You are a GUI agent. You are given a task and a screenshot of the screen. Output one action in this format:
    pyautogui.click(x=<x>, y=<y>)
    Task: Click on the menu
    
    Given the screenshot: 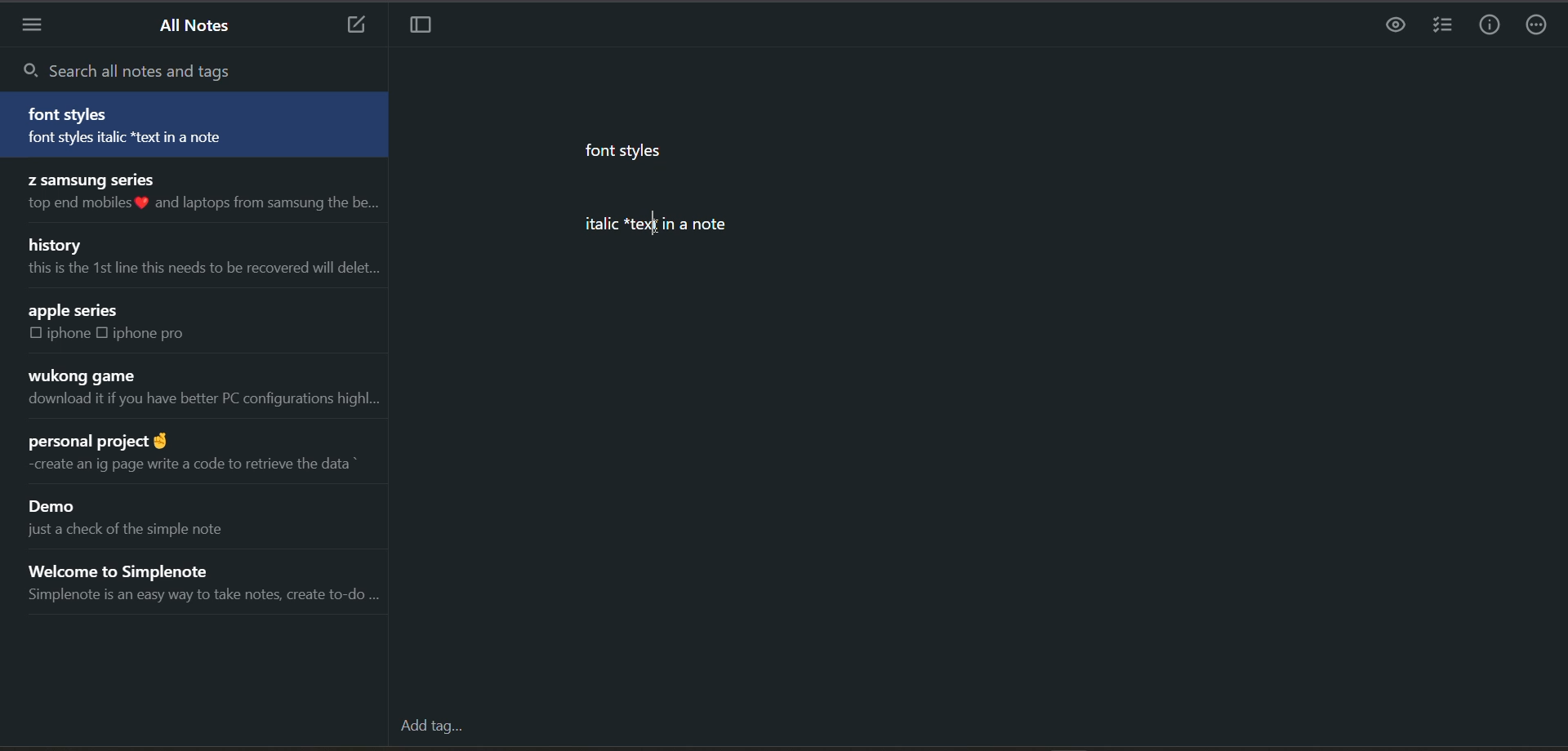 What is the action you would take?
    pyautogui.click(x=37, y=26)
    